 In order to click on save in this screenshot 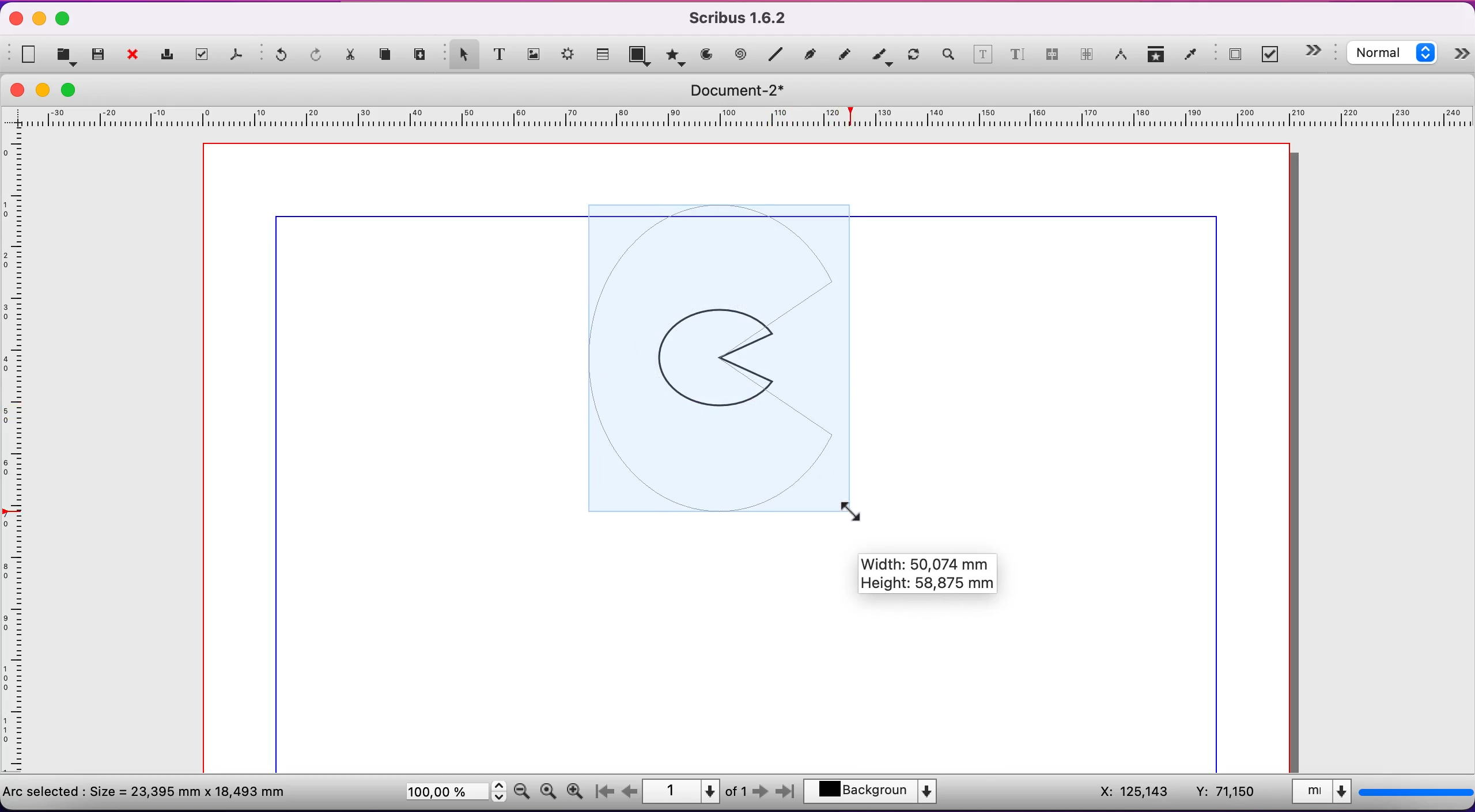, I will do `click(99, 55)`.